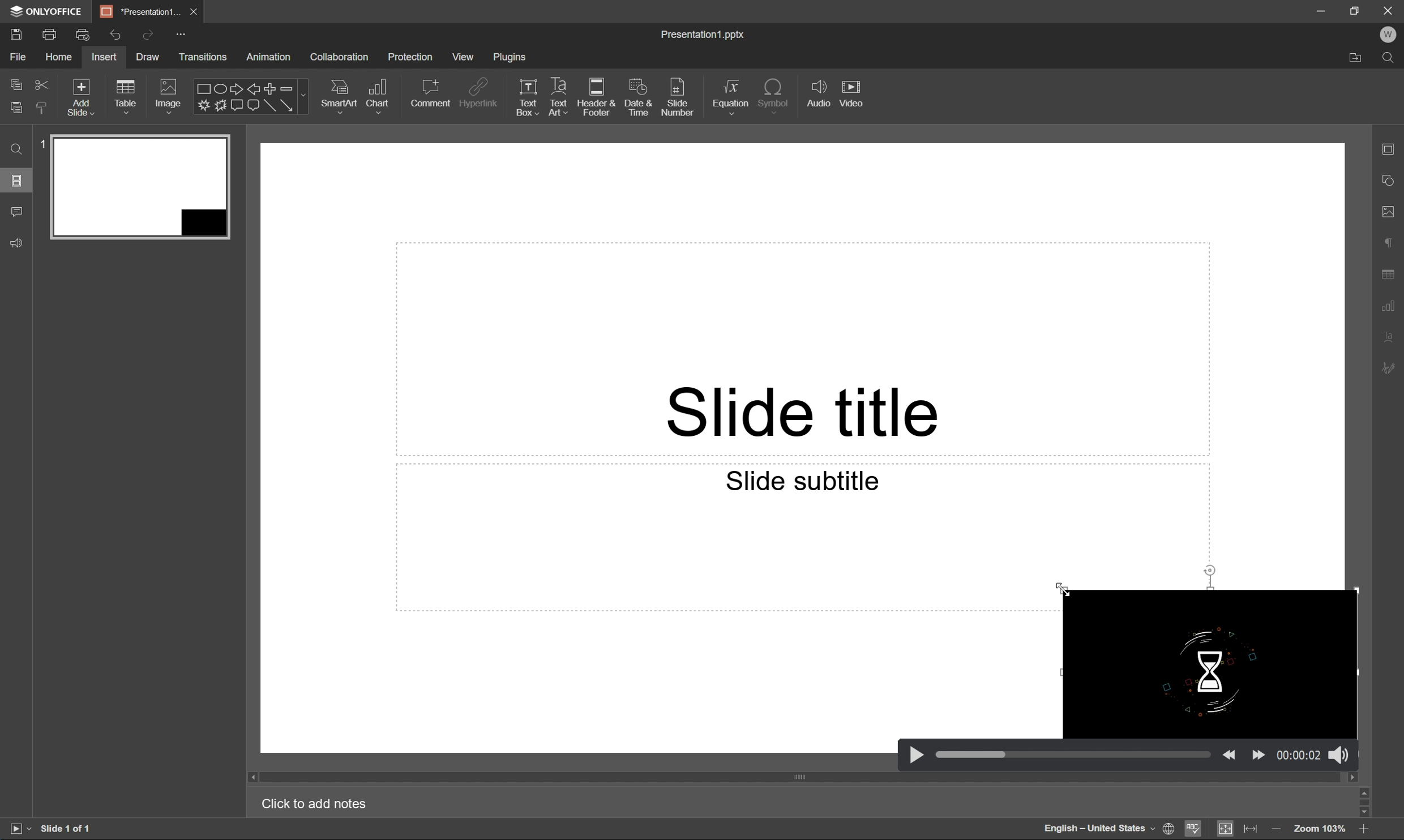  Describe the element at coordinates (1197, 830) in the screenshot. I see `spell checking` at that location.